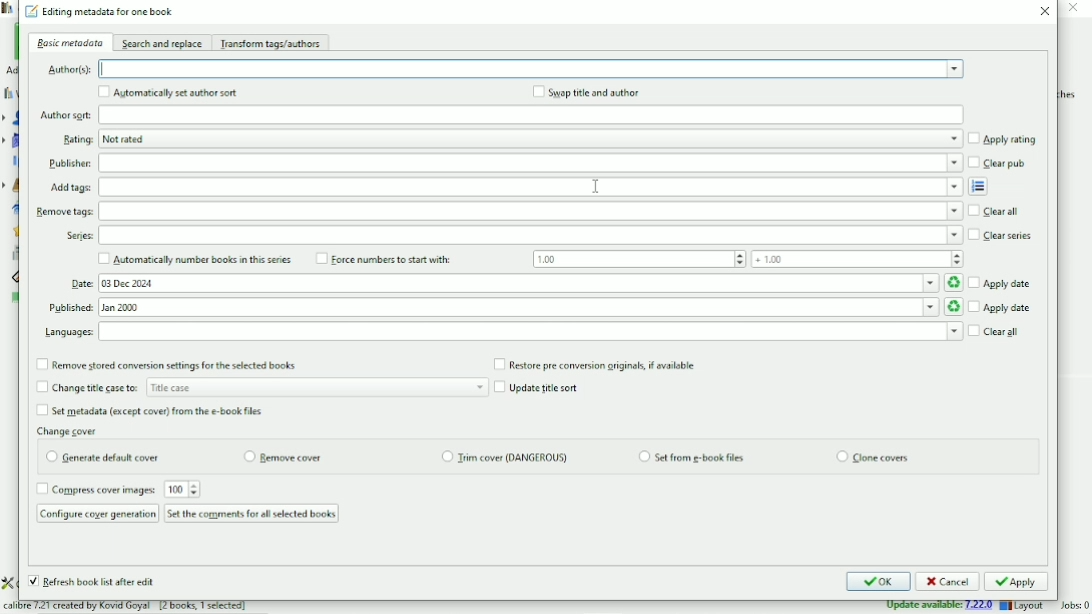 Image resolution: width=1092 pixels, height=614 pixels. I want to click on Remove stored conversion settings for the selected books, so click(167, 366).